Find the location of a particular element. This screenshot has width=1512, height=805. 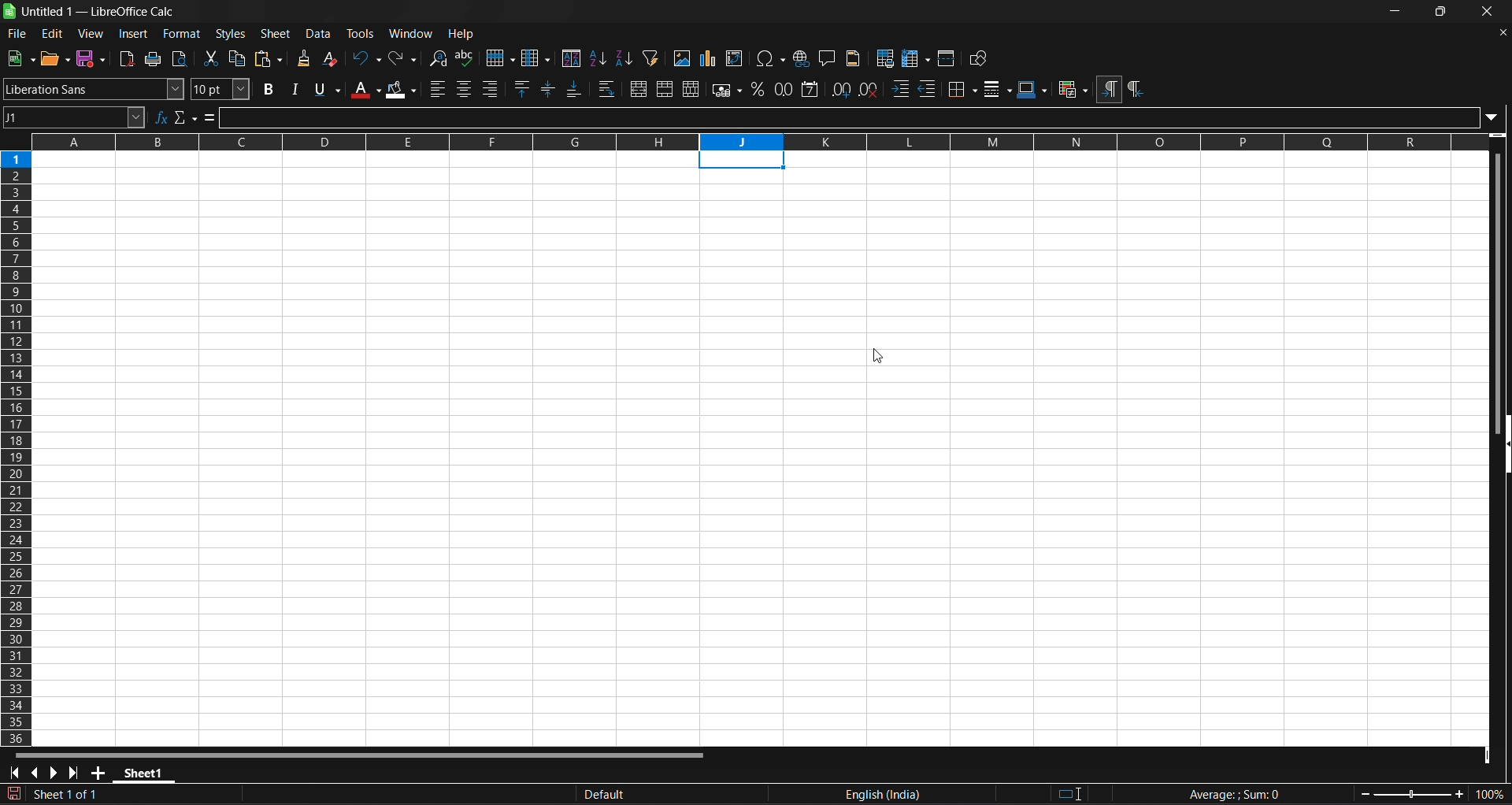

format as currency is located at coordinates (728, 91).